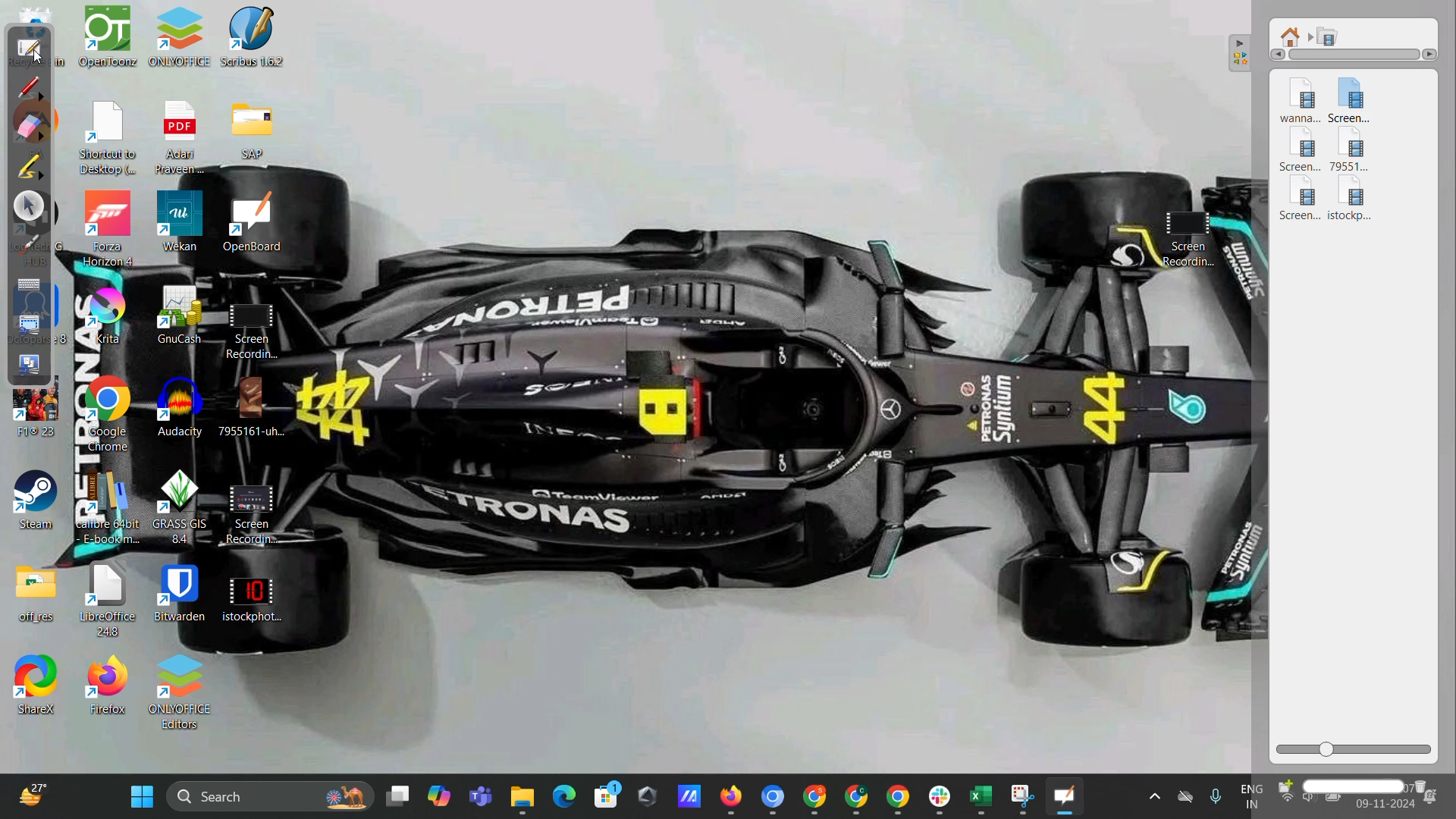 The width and height of the screenshot is (1456, 819). Describe the element at coordinates (399, 794) in the screenshot. I see `New descktop` at that location.